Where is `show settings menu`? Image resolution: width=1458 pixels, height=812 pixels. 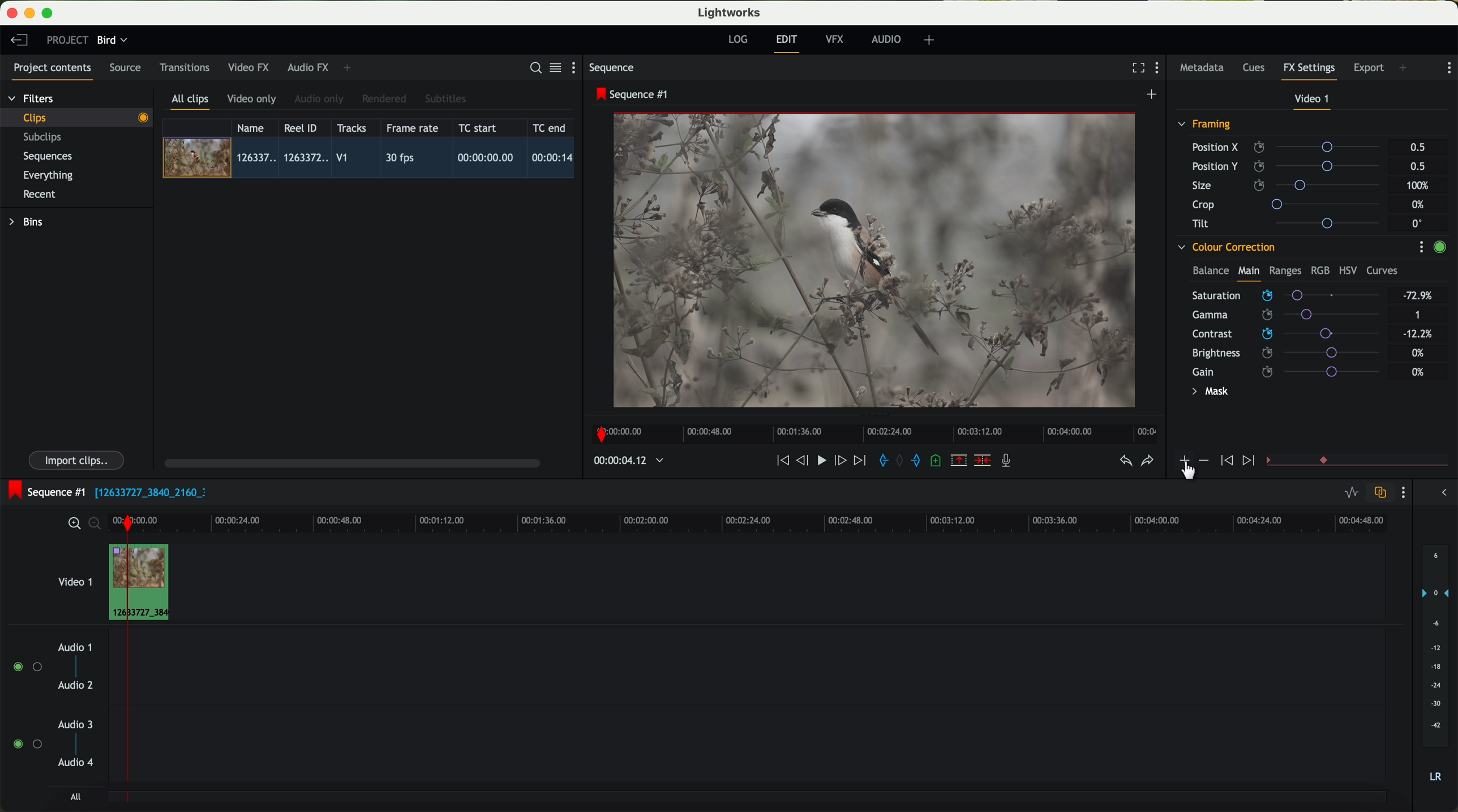 show settings menu is located at coordinates (1402, 492).